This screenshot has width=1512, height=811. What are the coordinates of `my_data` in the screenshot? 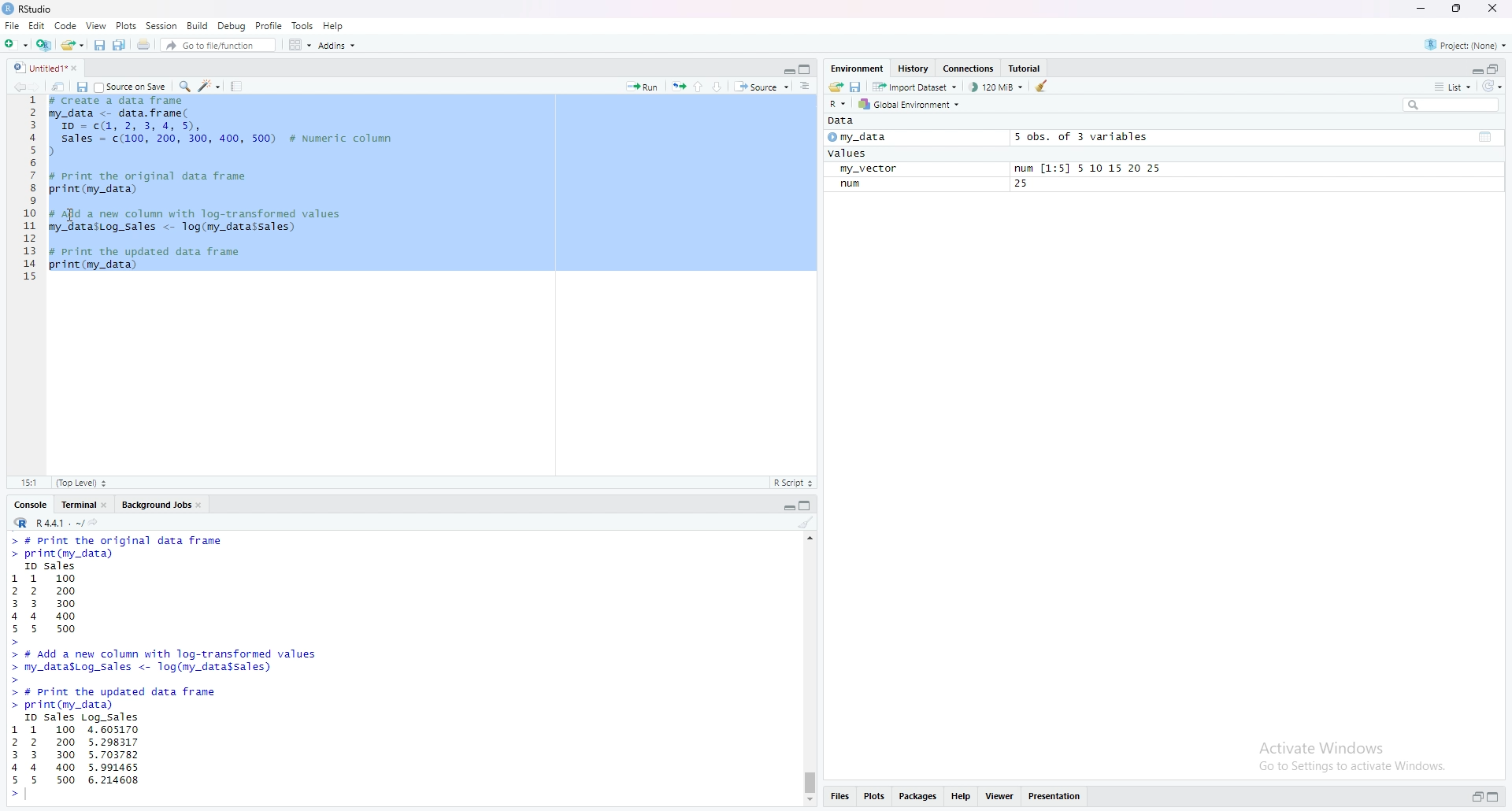 It's located at (874, 139).